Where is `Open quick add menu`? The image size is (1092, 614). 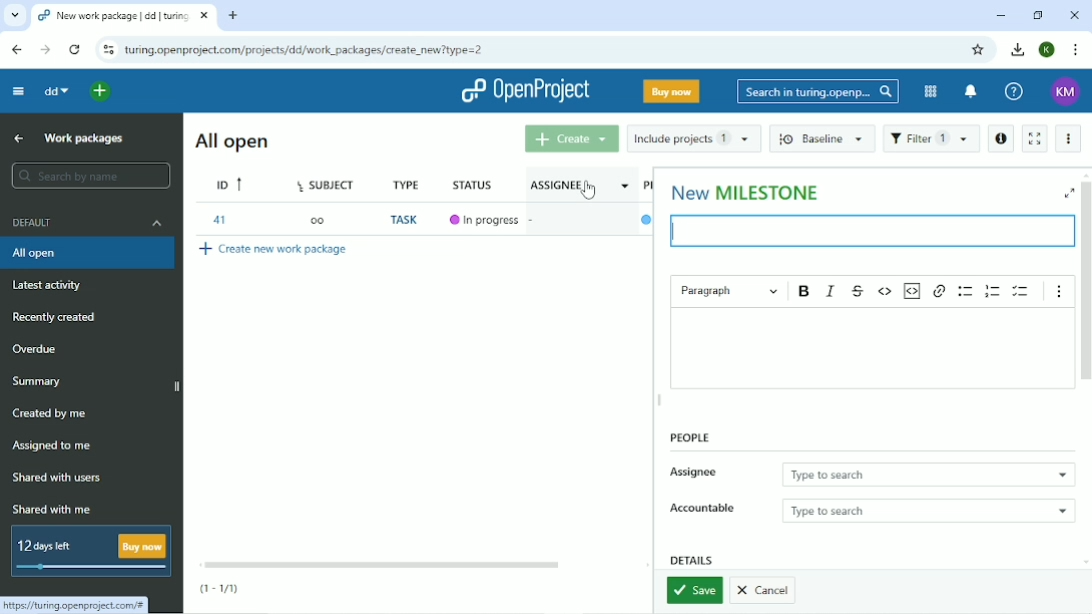
Open quick add menu is located at coordinates (102, 92).